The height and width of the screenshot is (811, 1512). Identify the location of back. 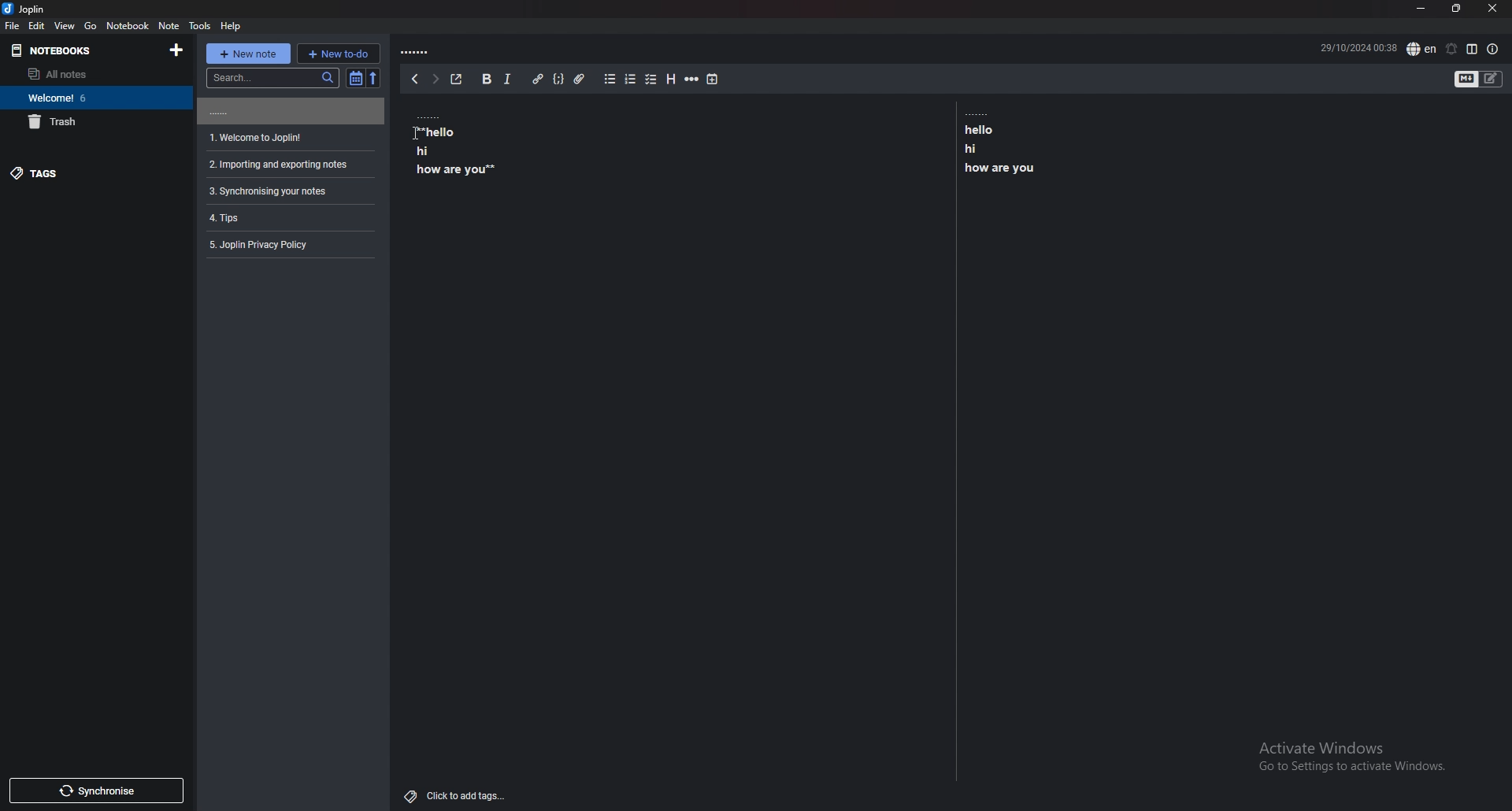
(415, 79).